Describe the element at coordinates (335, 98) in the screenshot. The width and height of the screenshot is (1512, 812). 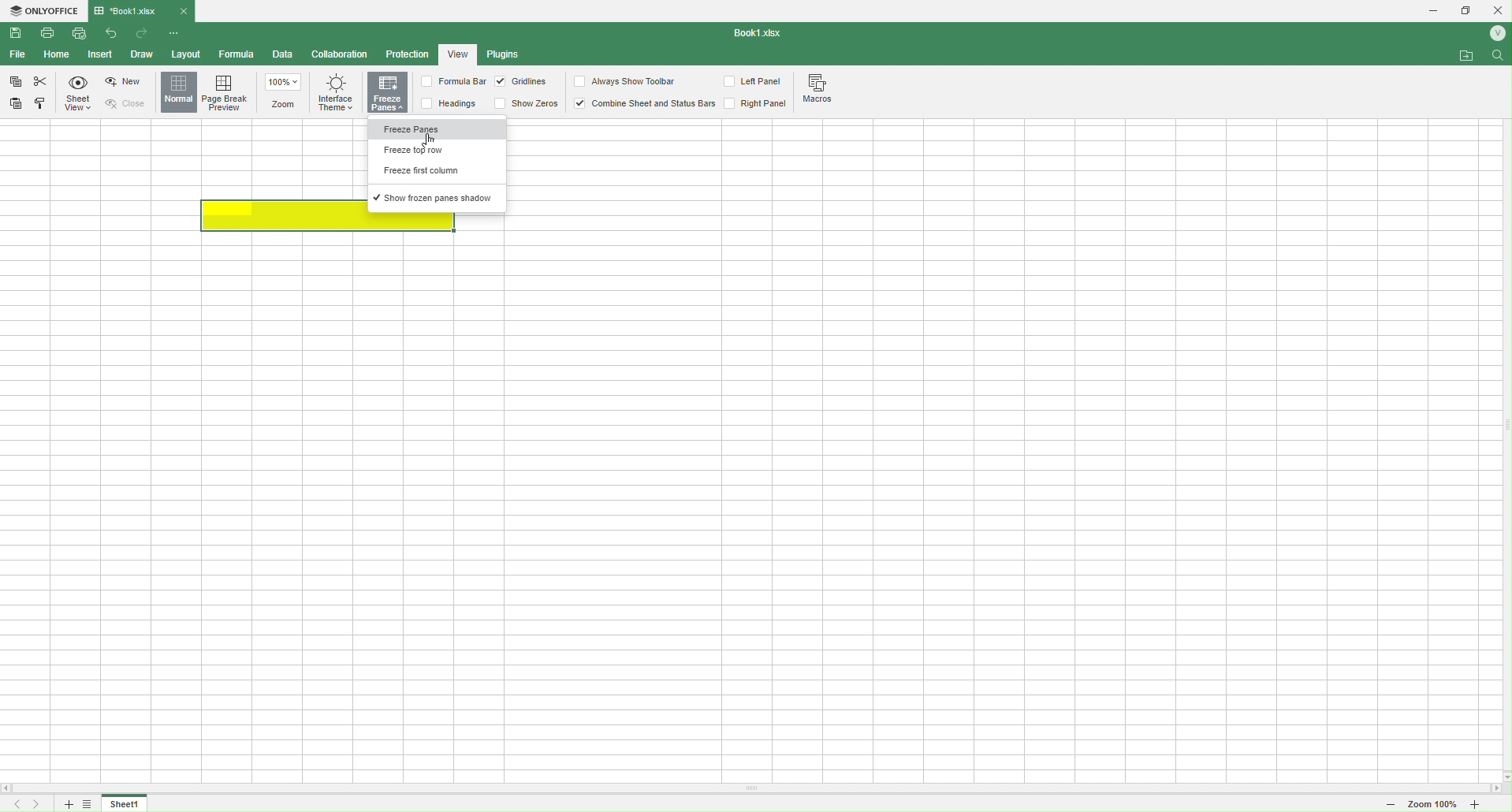
I see `Interface Theme` at that location.